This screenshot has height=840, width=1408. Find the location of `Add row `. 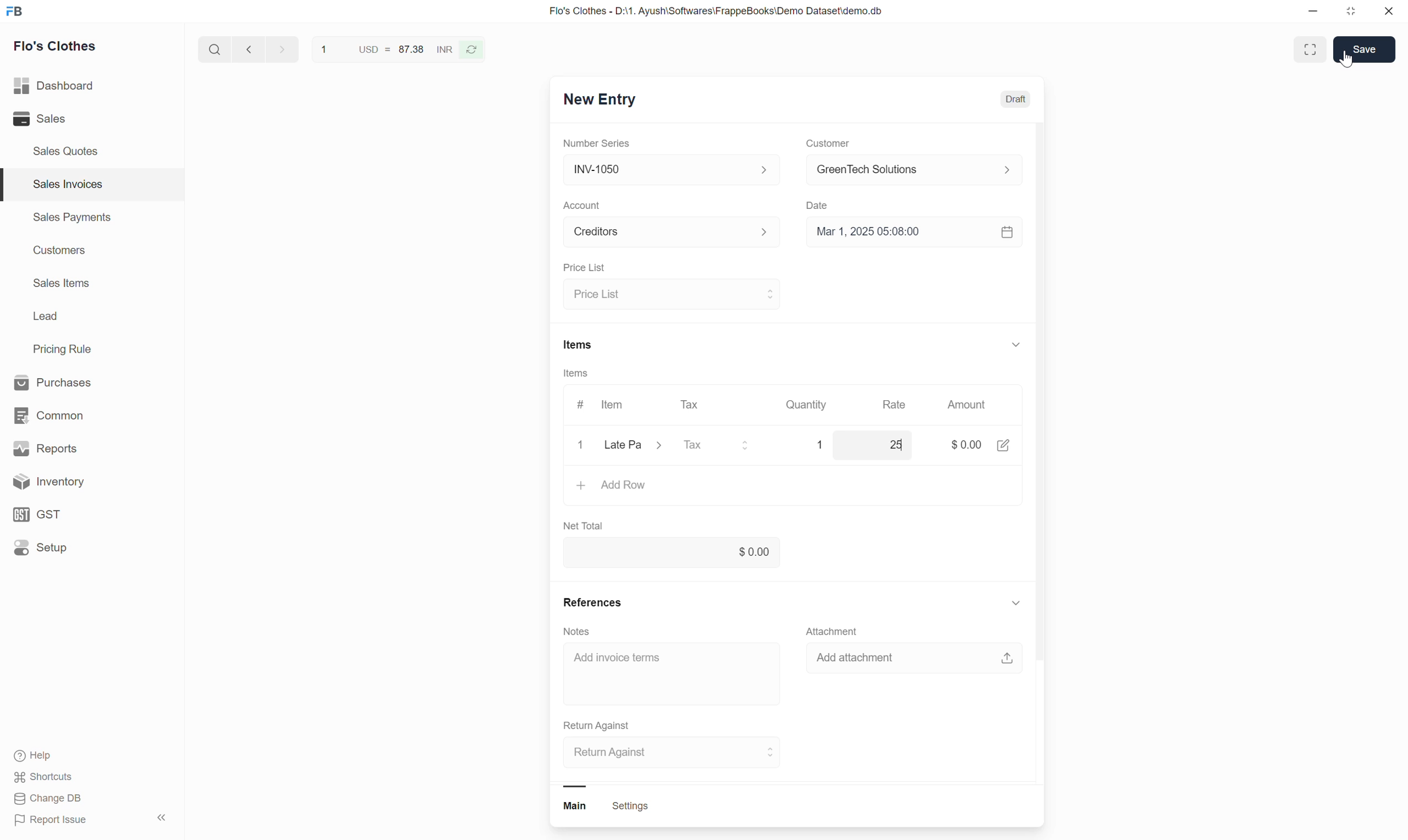

Add row  is located at coordinates (625, 483).